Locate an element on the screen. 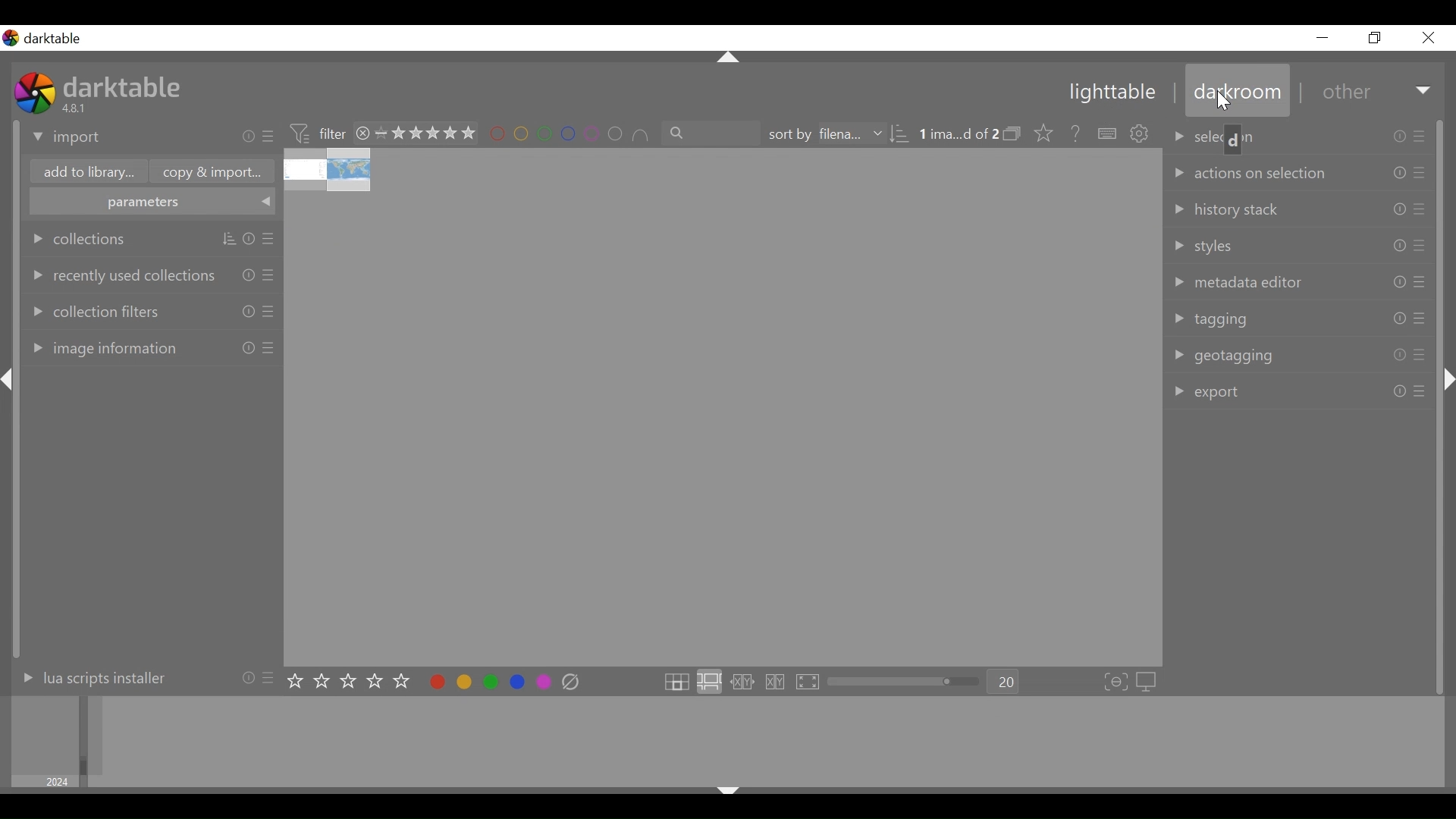 Image resolution: width=1456 pixels, height=819 pixels. range rating is located at coordinates (416, 134).